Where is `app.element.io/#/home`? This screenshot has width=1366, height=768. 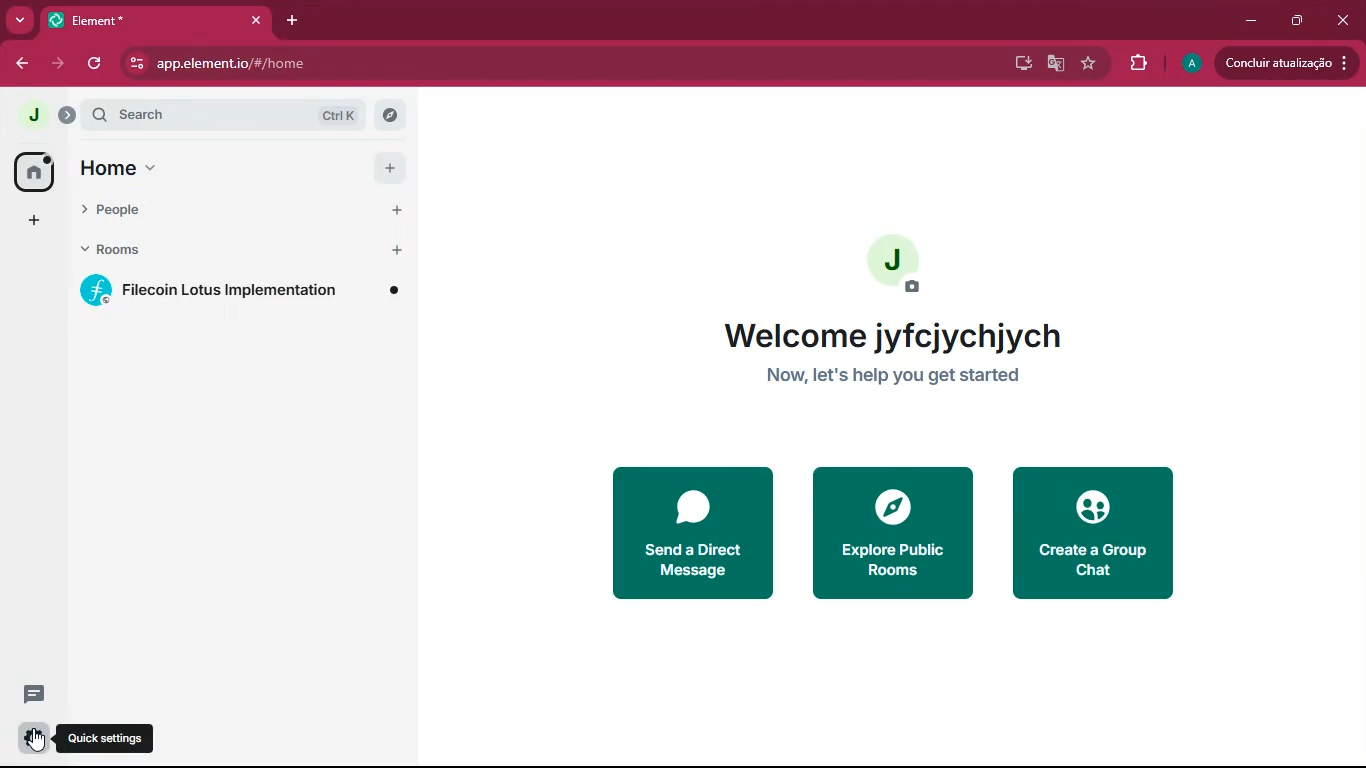 app.element.io/#/home is located at coordinates (410, 64).